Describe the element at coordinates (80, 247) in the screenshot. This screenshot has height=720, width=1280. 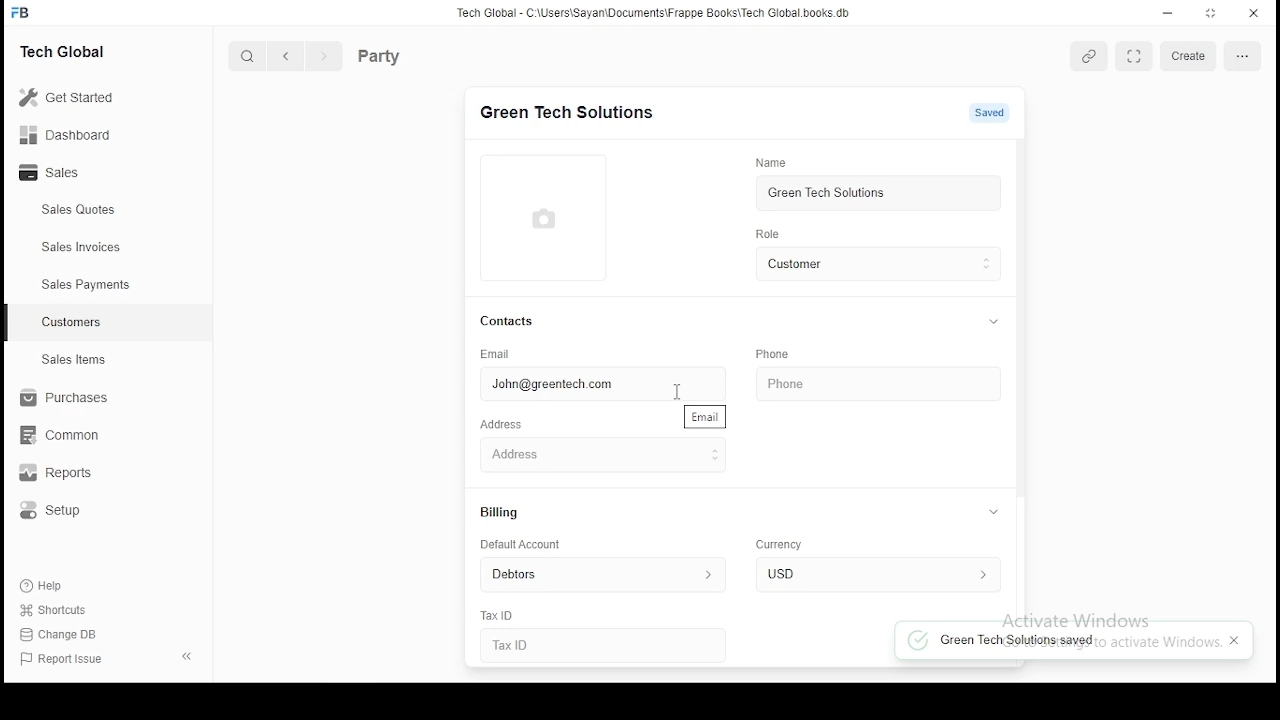
I see `sales invoices` at that location.